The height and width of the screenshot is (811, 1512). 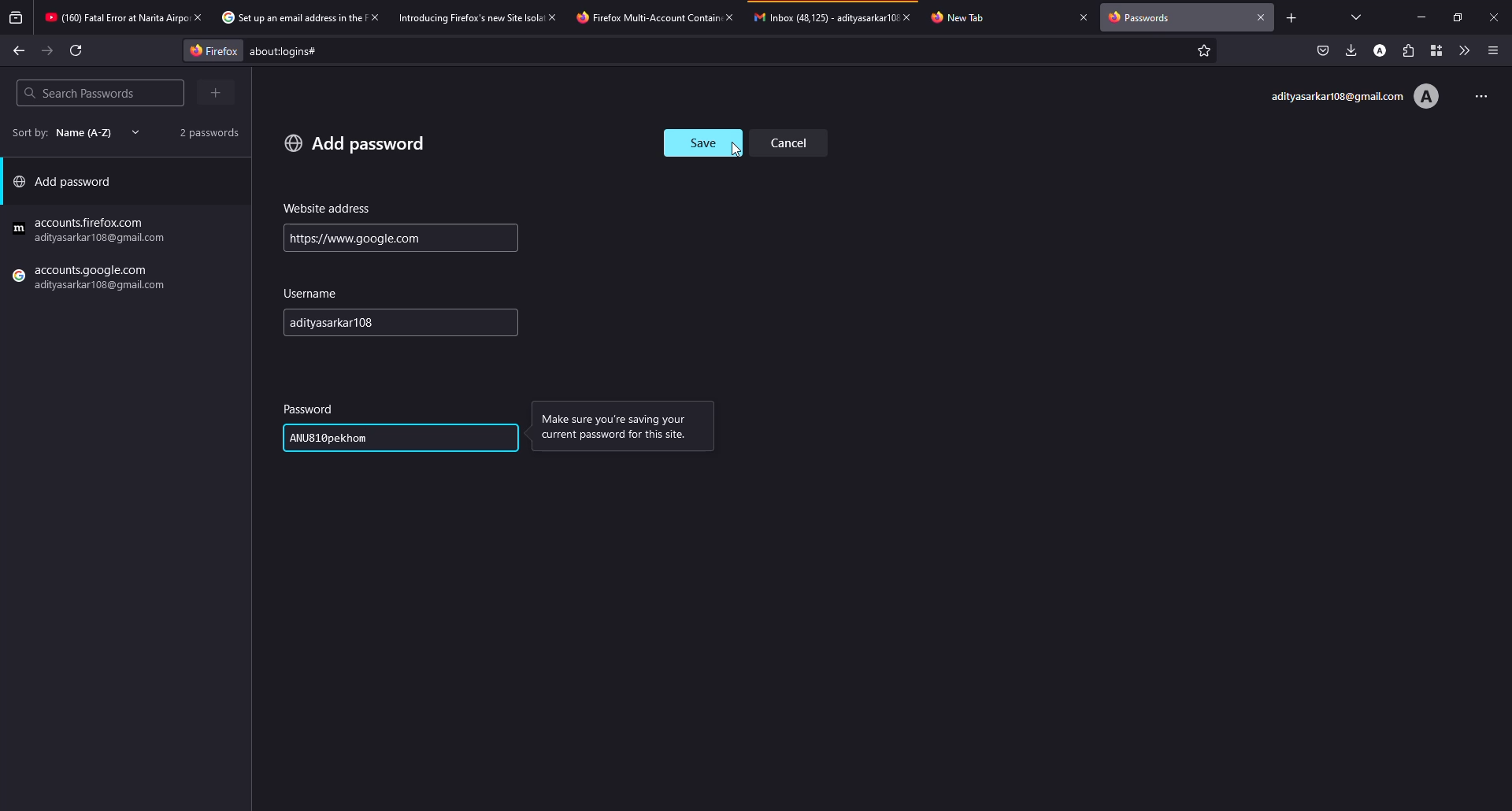 I want to click on close, so click(x=197, y=17).